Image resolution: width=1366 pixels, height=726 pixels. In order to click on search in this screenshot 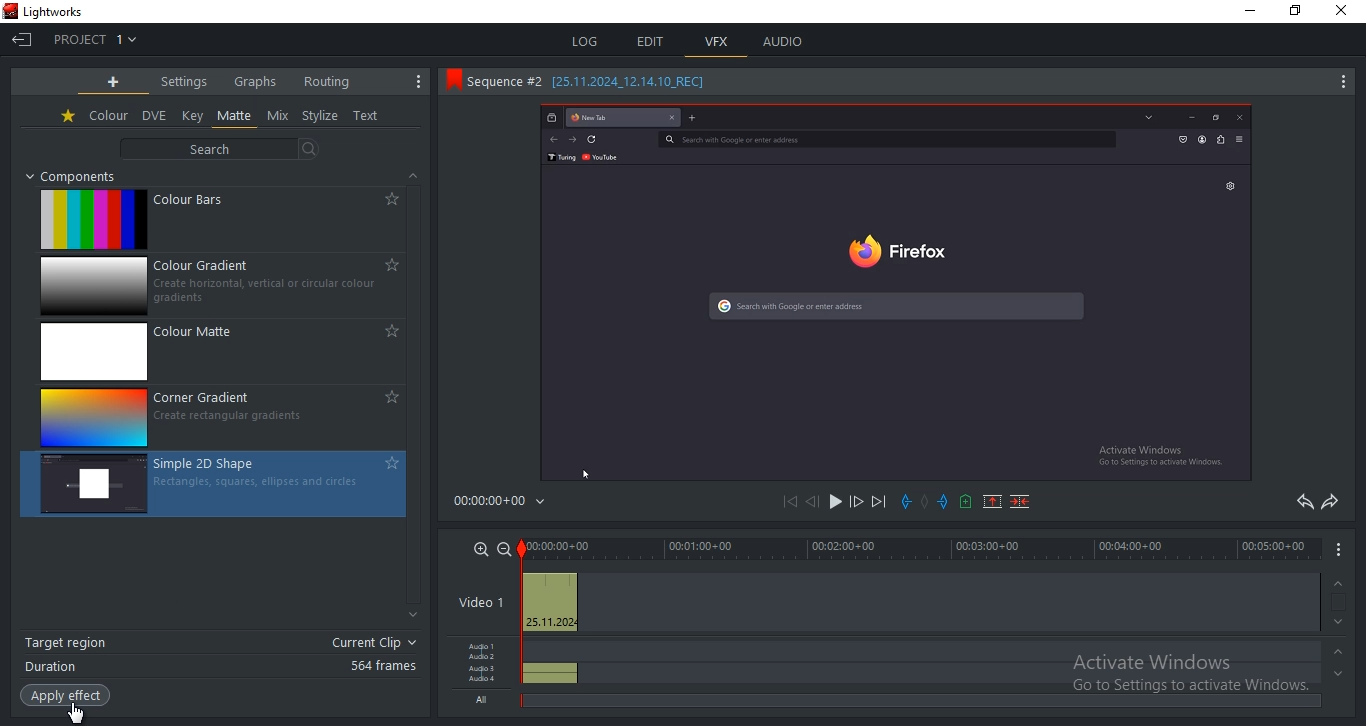, I will do `click(224, 148)`.